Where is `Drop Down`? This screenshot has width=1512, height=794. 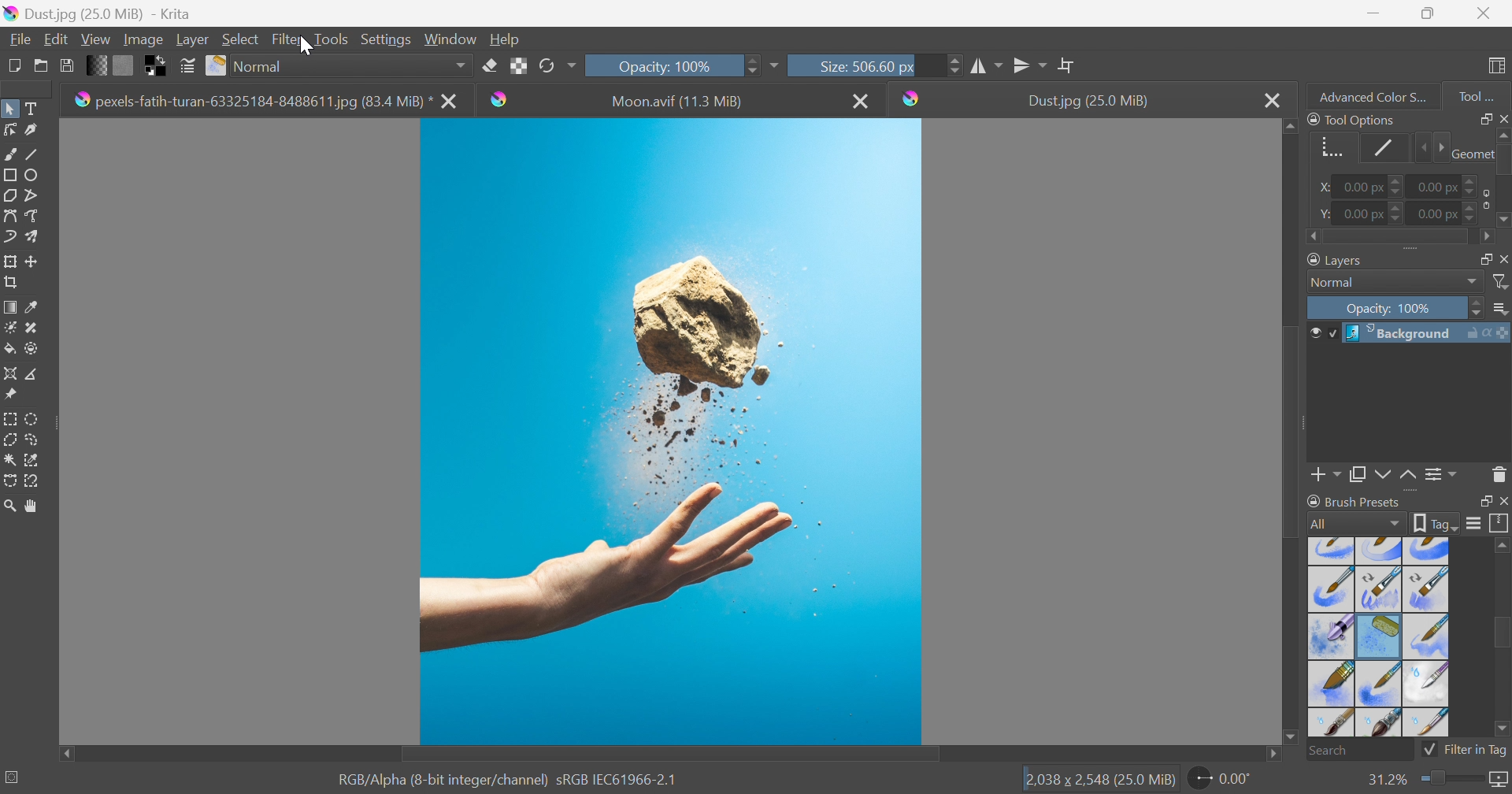 Drop Down is located at coordinates (1502, 310).